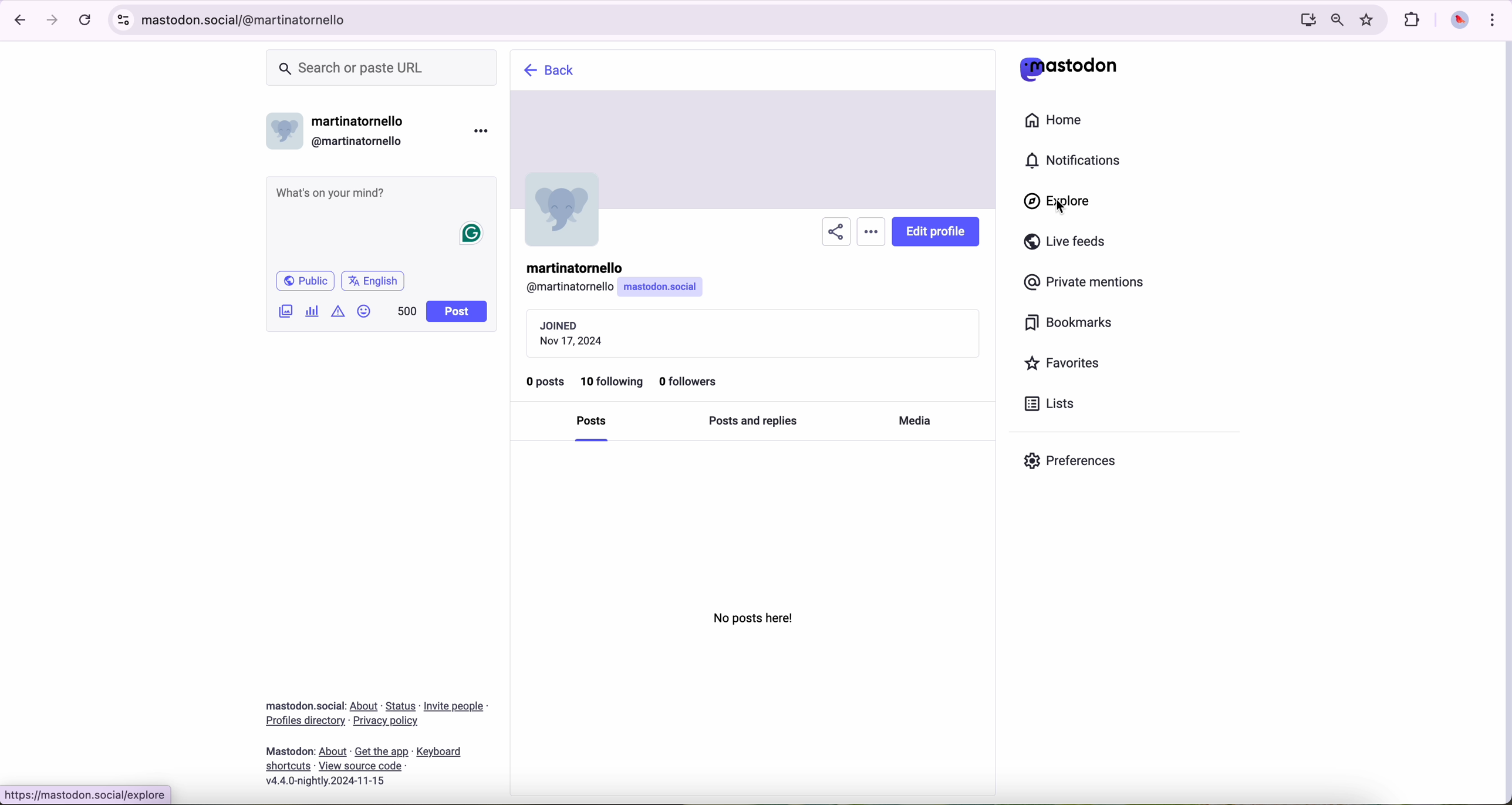  What do you see at coordinates (745, 129) in the screenshot?
I see `cover page` at bounding box center [745, 129].